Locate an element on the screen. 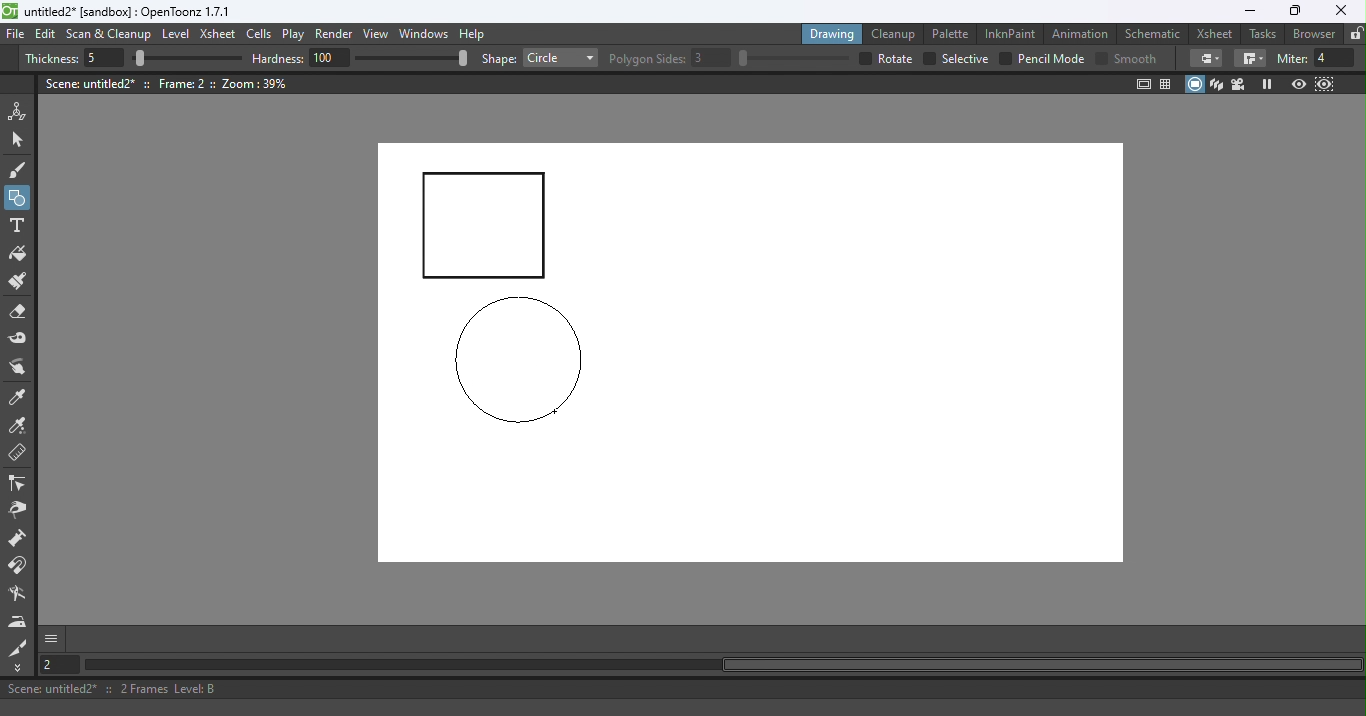  Sub-Camera view is located at coordinates (1326, 84).